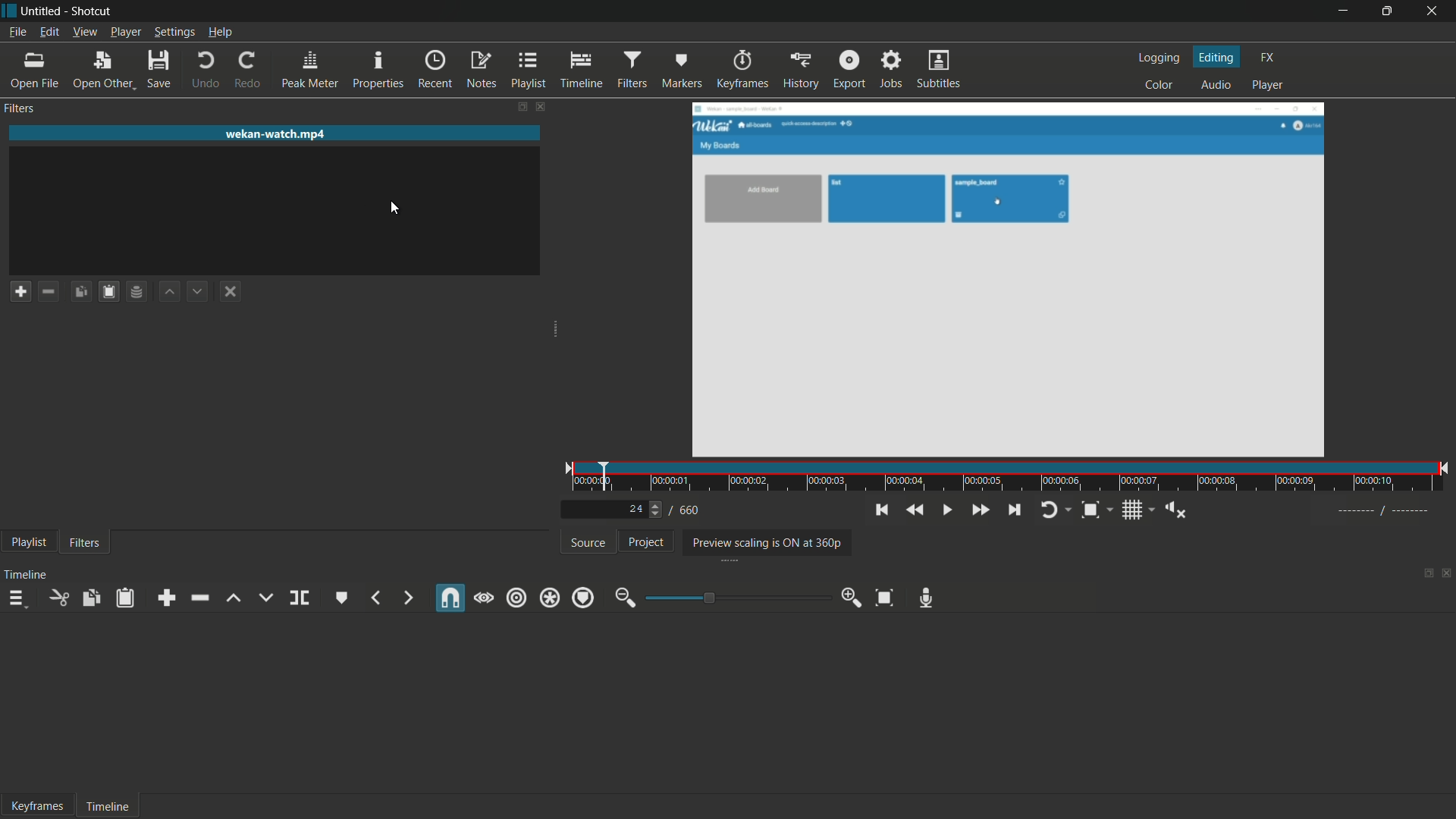 The width and height of the screenshot is (1456, 819). What do you see at coordinates (407, 597) in the screenshot?
I see `next marker` at bounding box center [407, 597].